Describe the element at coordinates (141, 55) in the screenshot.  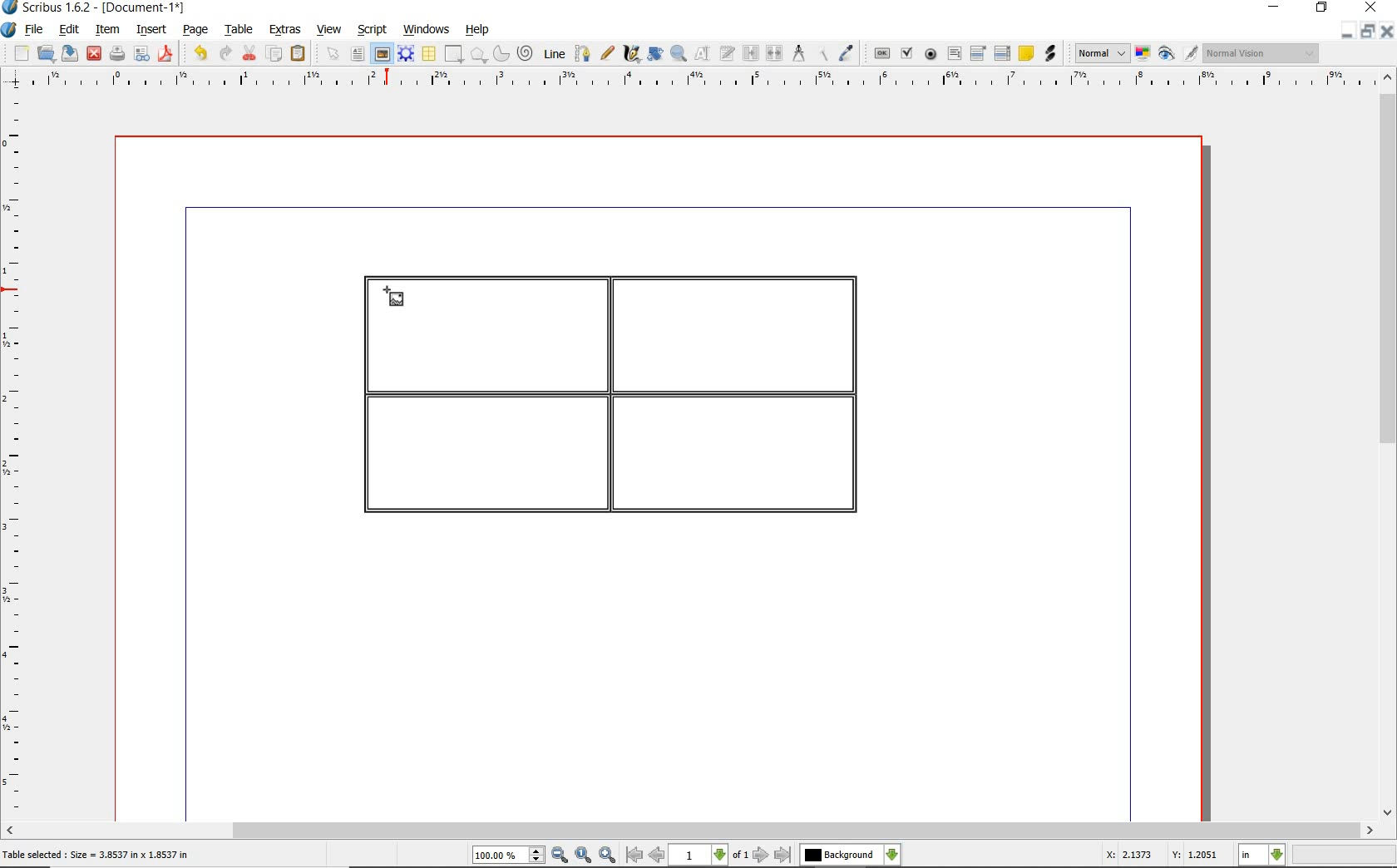
I see `preflight verifier` at that location.